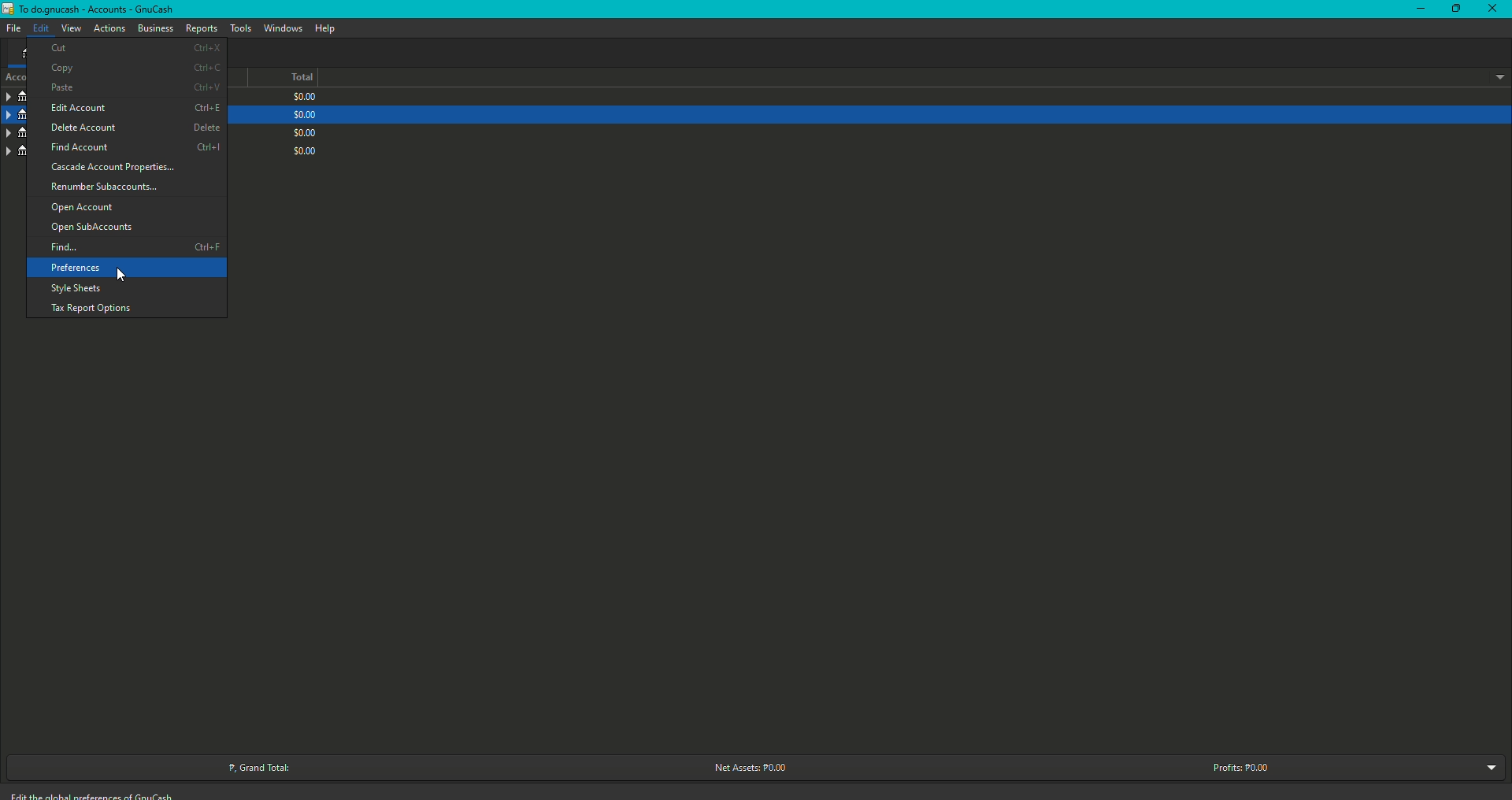 The width and height of the screenshot is (1512, 800). Describe the element at coordinates (84, 206) in the screenshot. I see `Open Accounts` at that location.